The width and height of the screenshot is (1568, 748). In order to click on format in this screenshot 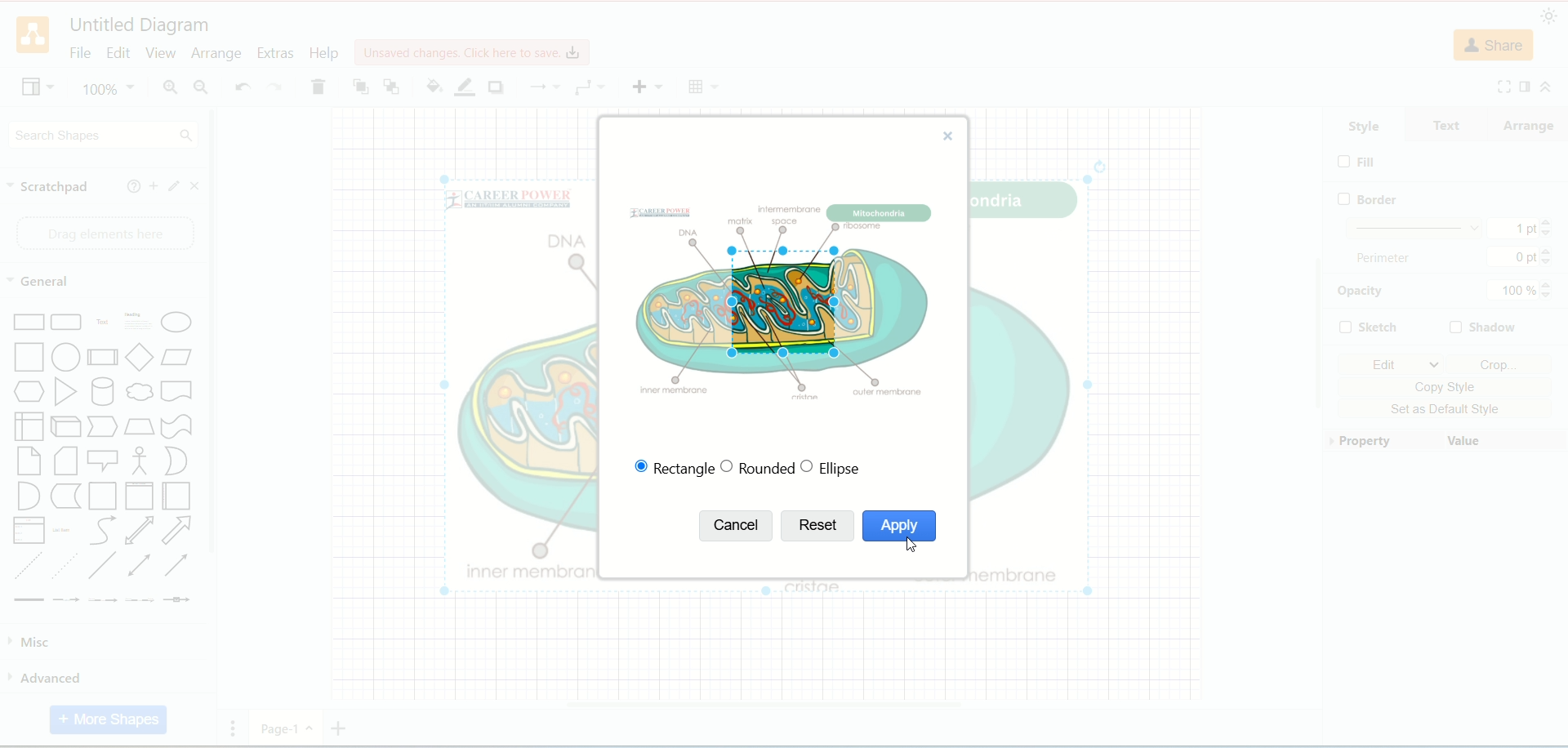, I will do `click(1523, 86)`.